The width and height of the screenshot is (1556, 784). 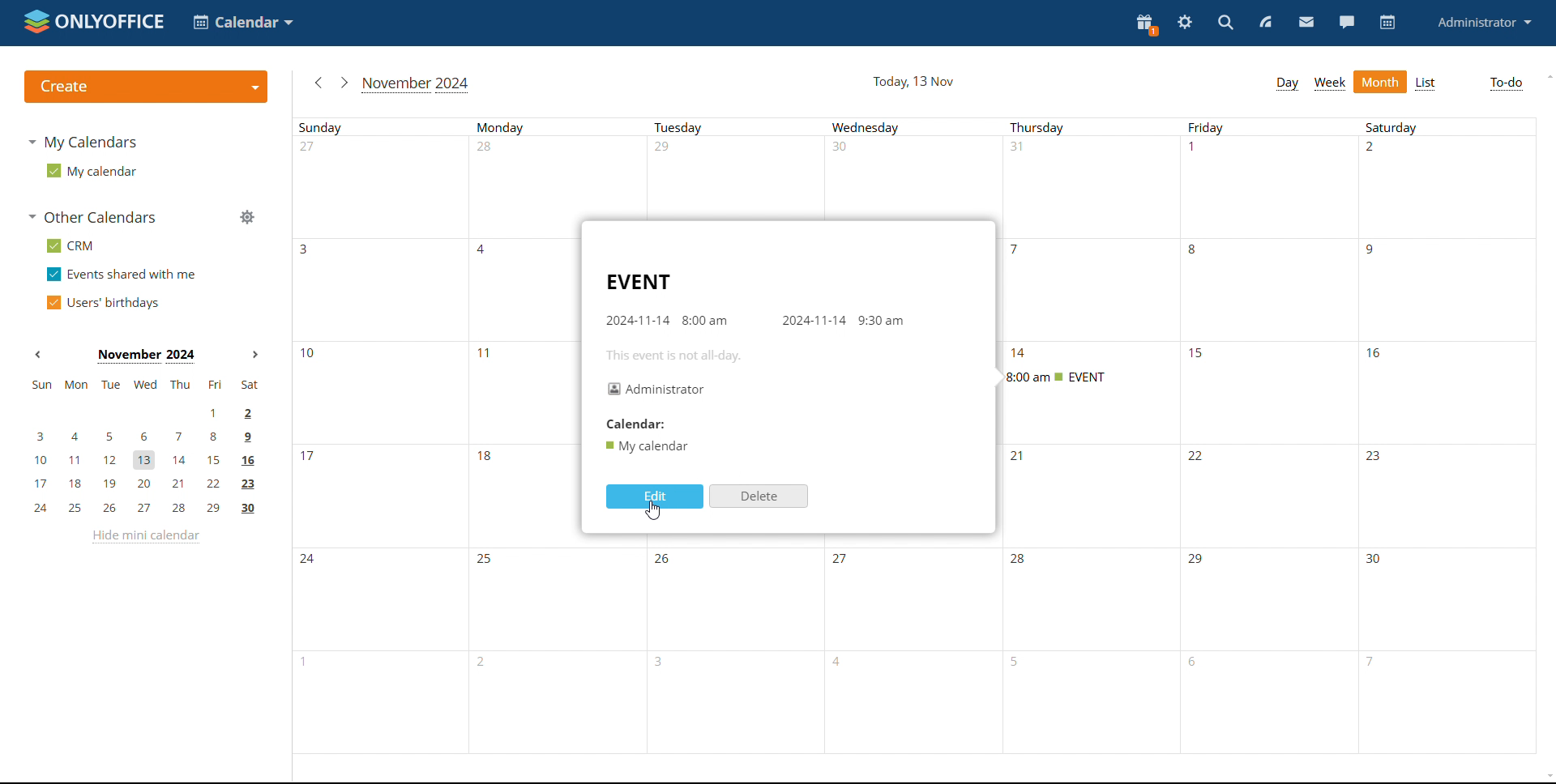 I want to click on current month, so click(x=418, y=84).